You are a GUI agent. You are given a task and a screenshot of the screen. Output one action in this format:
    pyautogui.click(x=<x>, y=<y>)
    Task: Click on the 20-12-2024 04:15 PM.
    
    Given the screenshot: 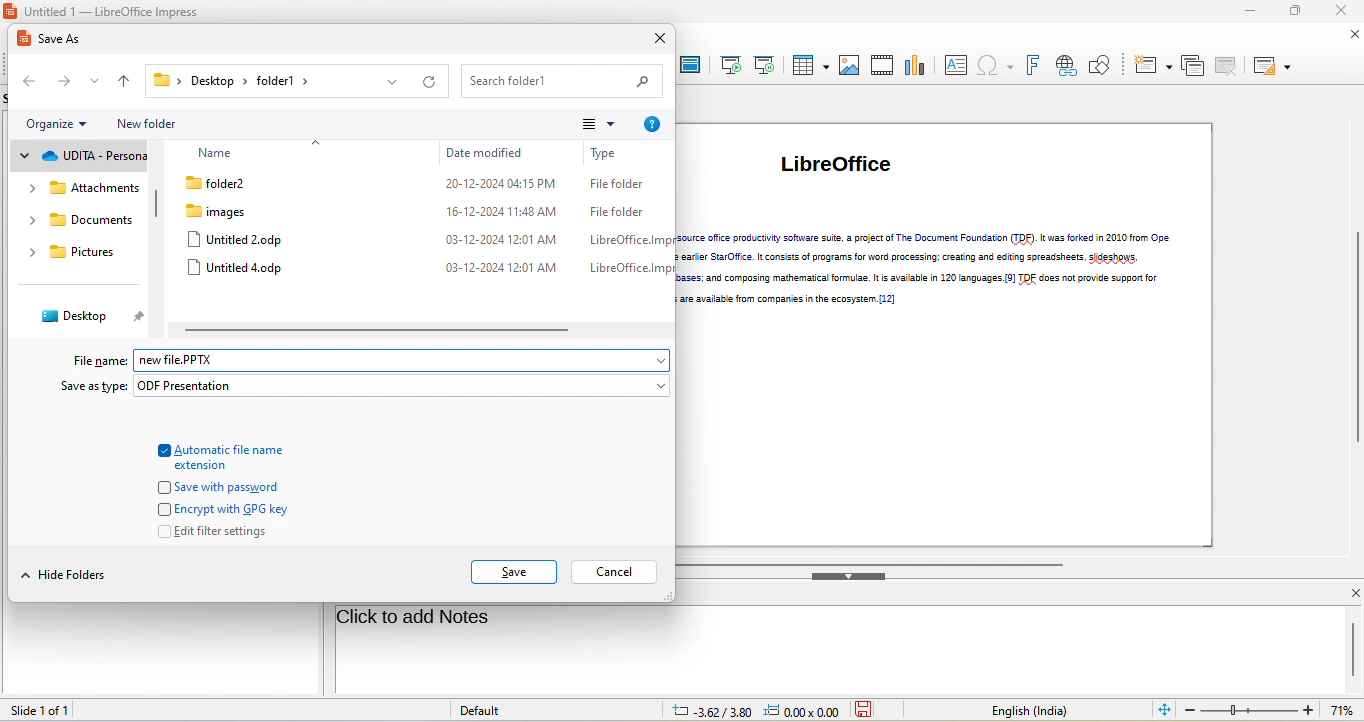 What is the action you would take?
    pyautogui.click(x=488, y=185)
    